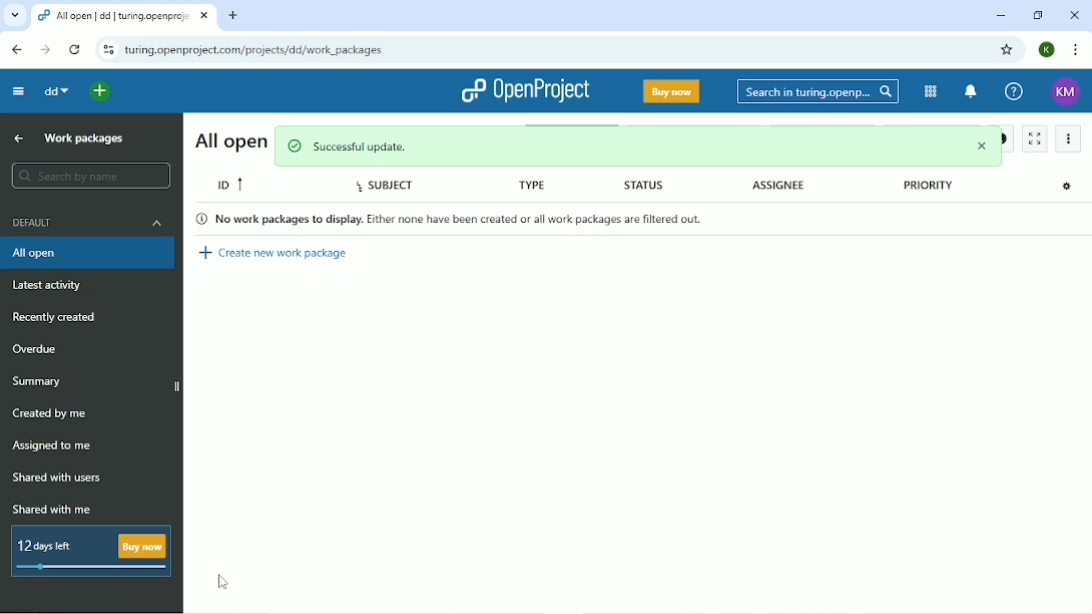 This screenshot has height=614, width=1092. I want to click on Customize and conrol google chrome, so click(1076, 50).